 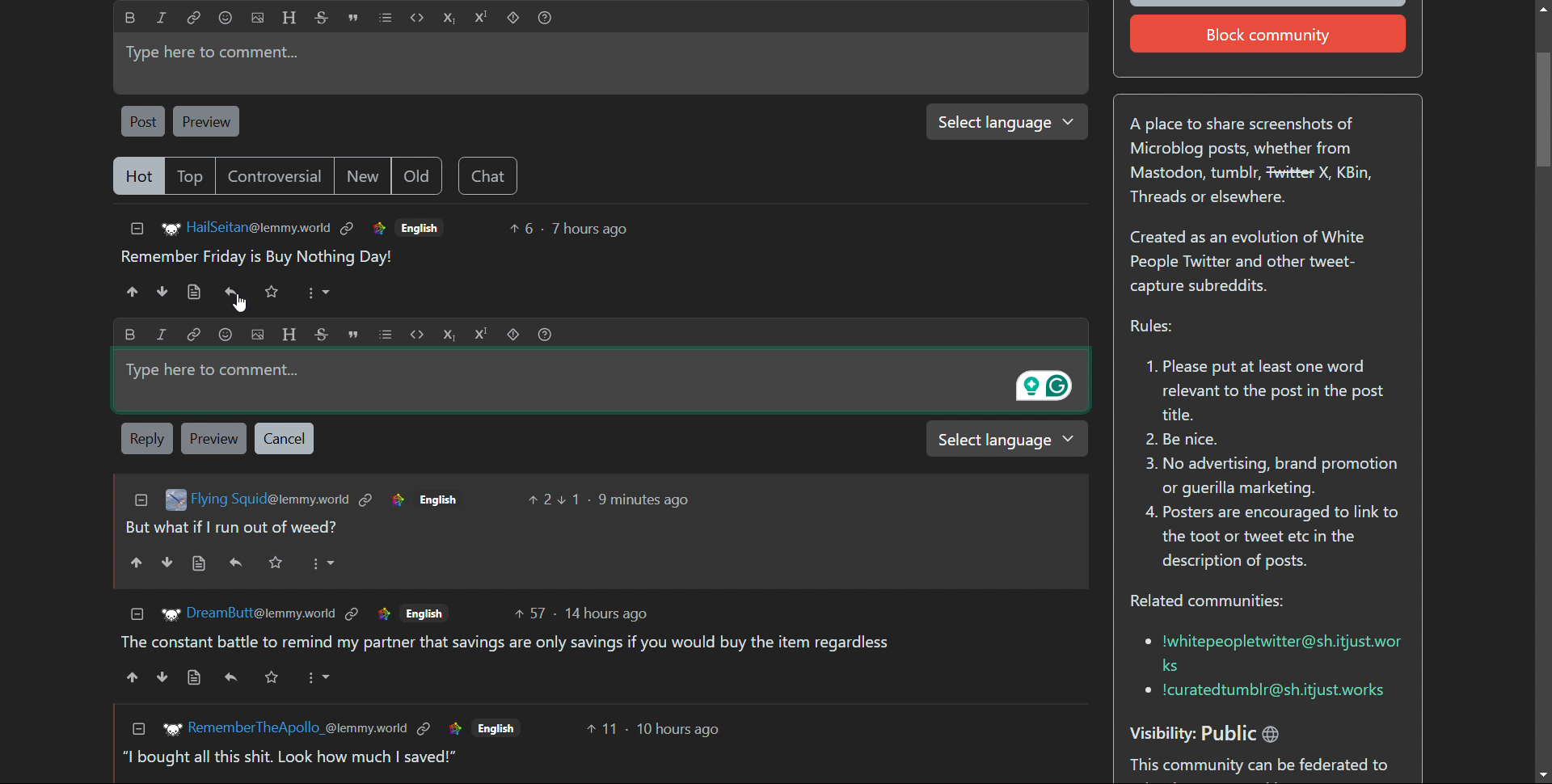 I want to click on More, so click(x=323, y=564).